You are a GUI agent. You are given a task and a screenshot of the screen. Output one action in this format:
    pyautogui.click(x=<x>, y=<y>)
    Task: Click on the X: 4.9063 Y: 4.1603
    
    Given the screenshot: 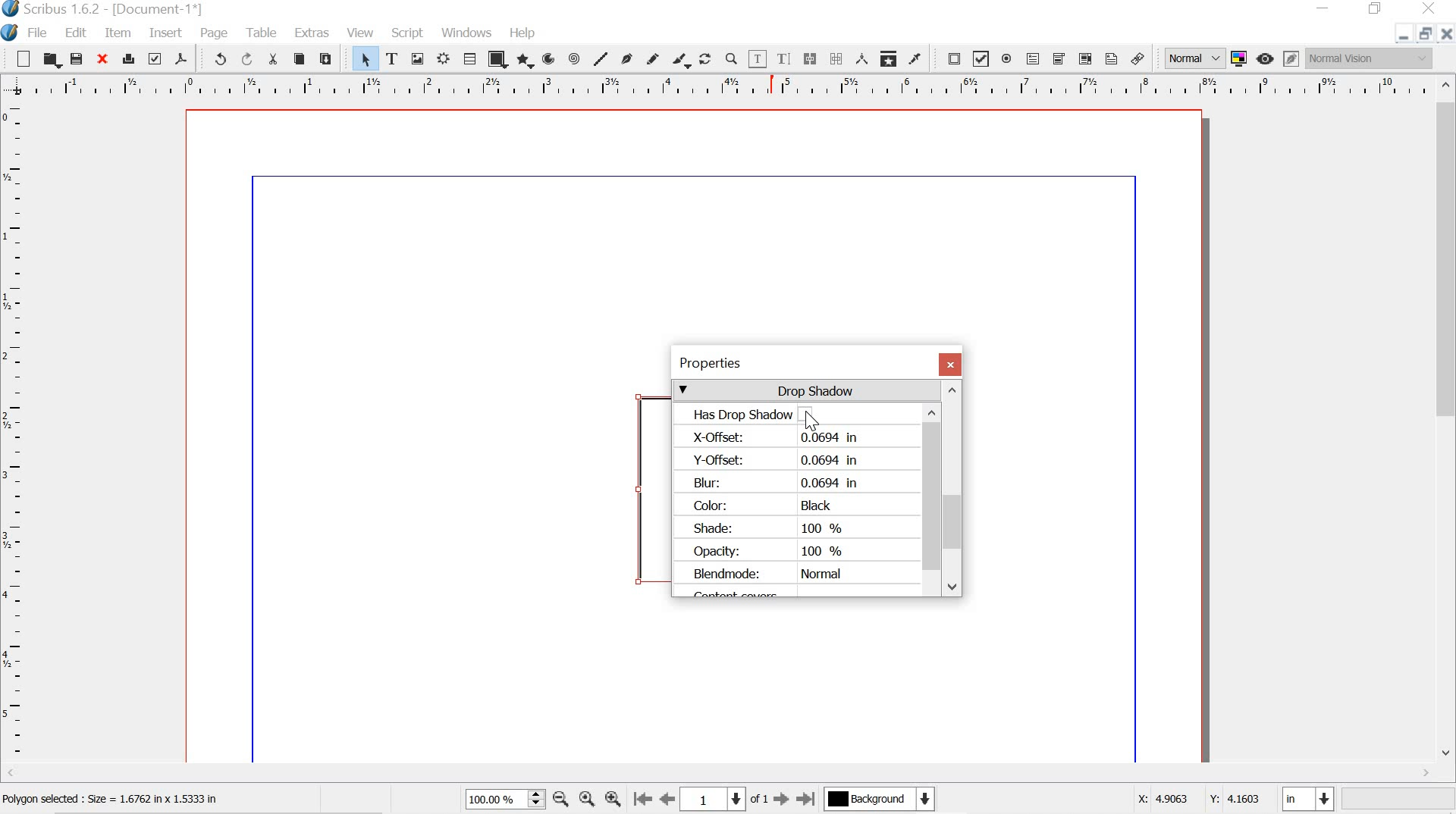 What is the action you would take?
    pyautogui.click(x=1197, y=795)
    